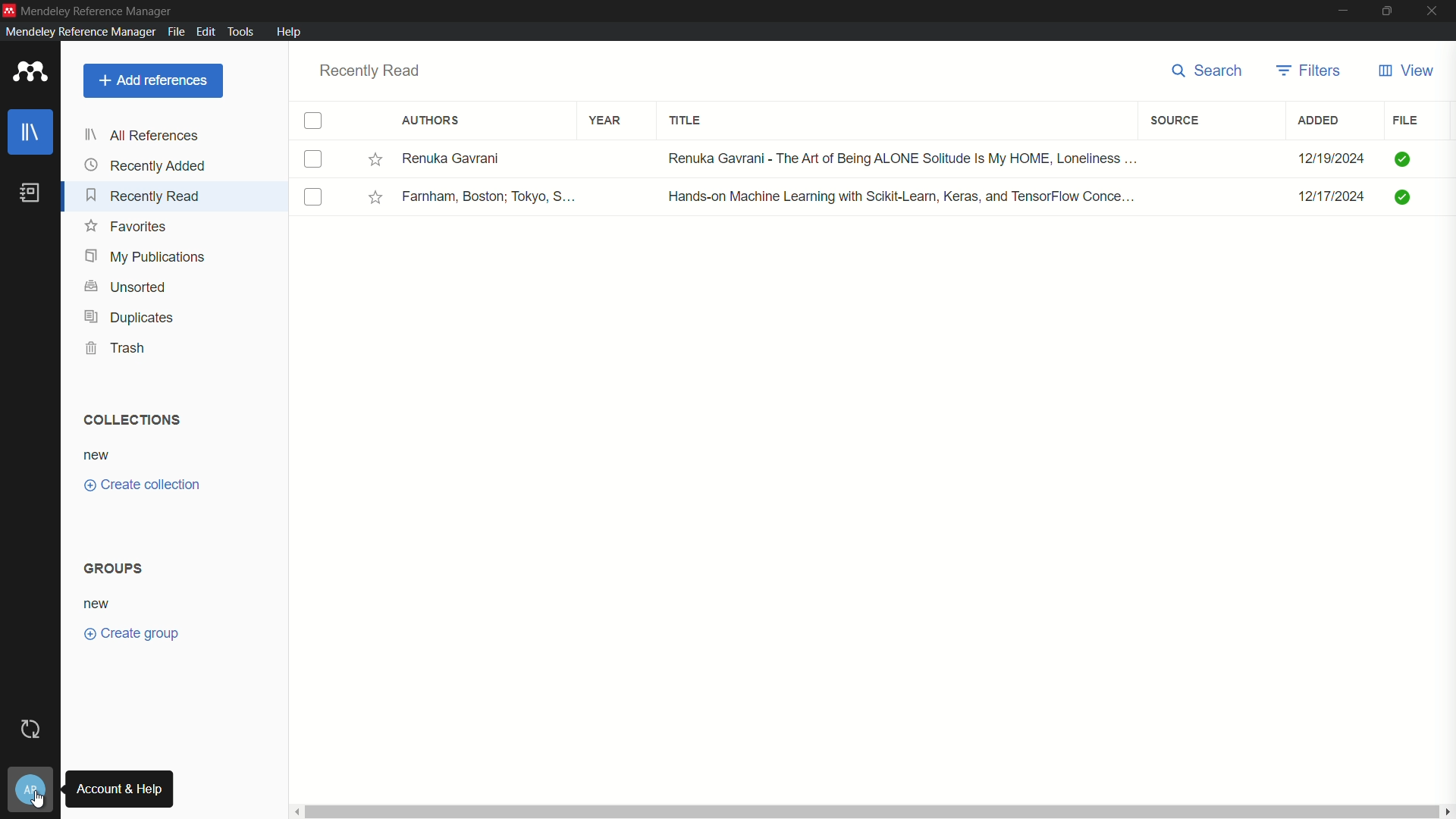  I want to click on (un)select, so click(314, 158).